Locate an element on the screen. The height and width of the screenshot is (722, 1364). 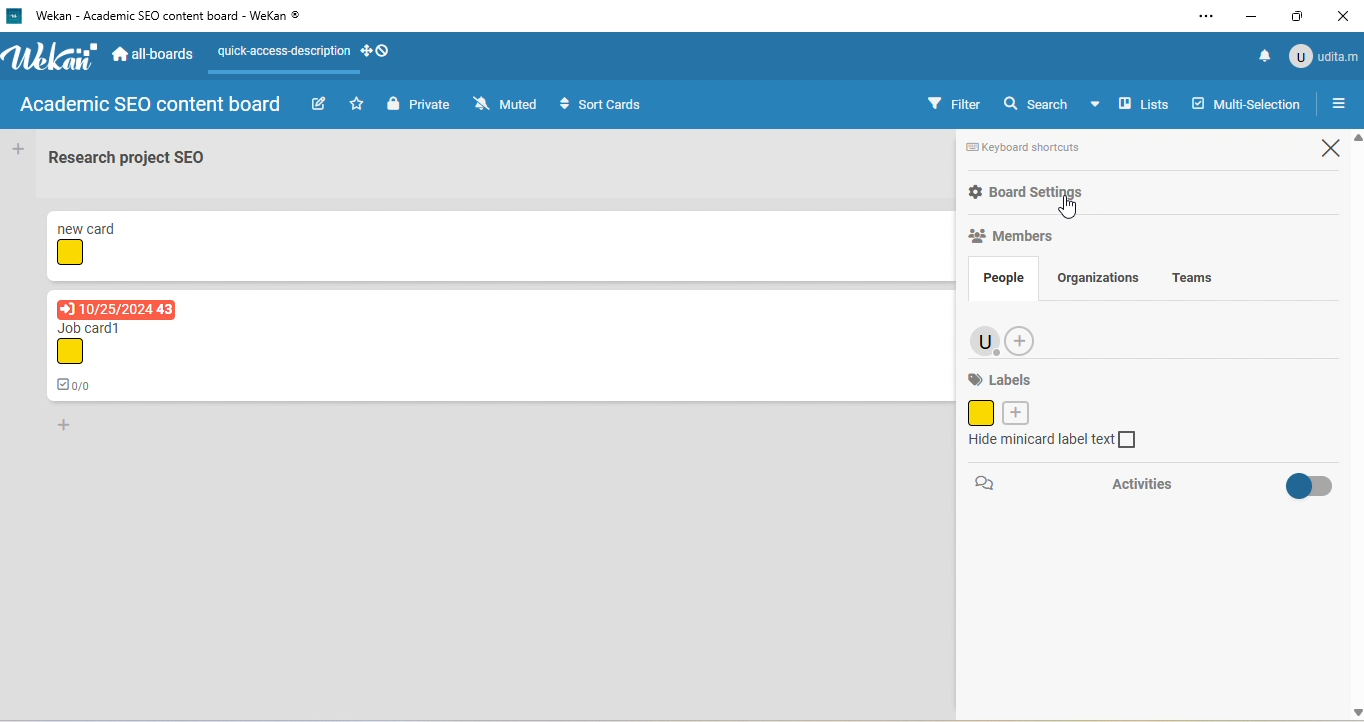
board settings is located at coordinates (1029, 195).